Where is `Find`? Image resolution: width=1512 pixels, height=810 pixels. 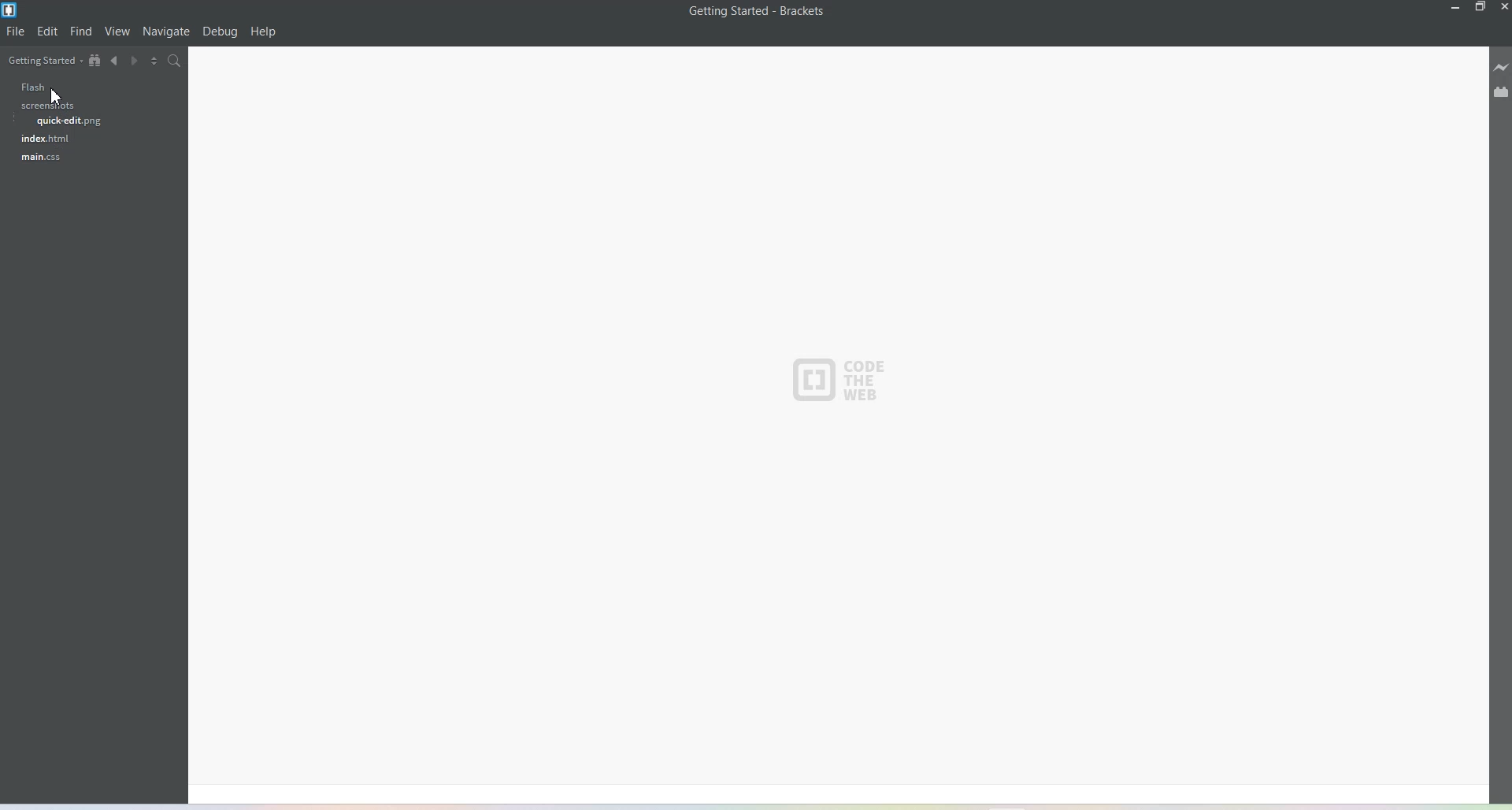 Find is located at coordinates (81, 32).